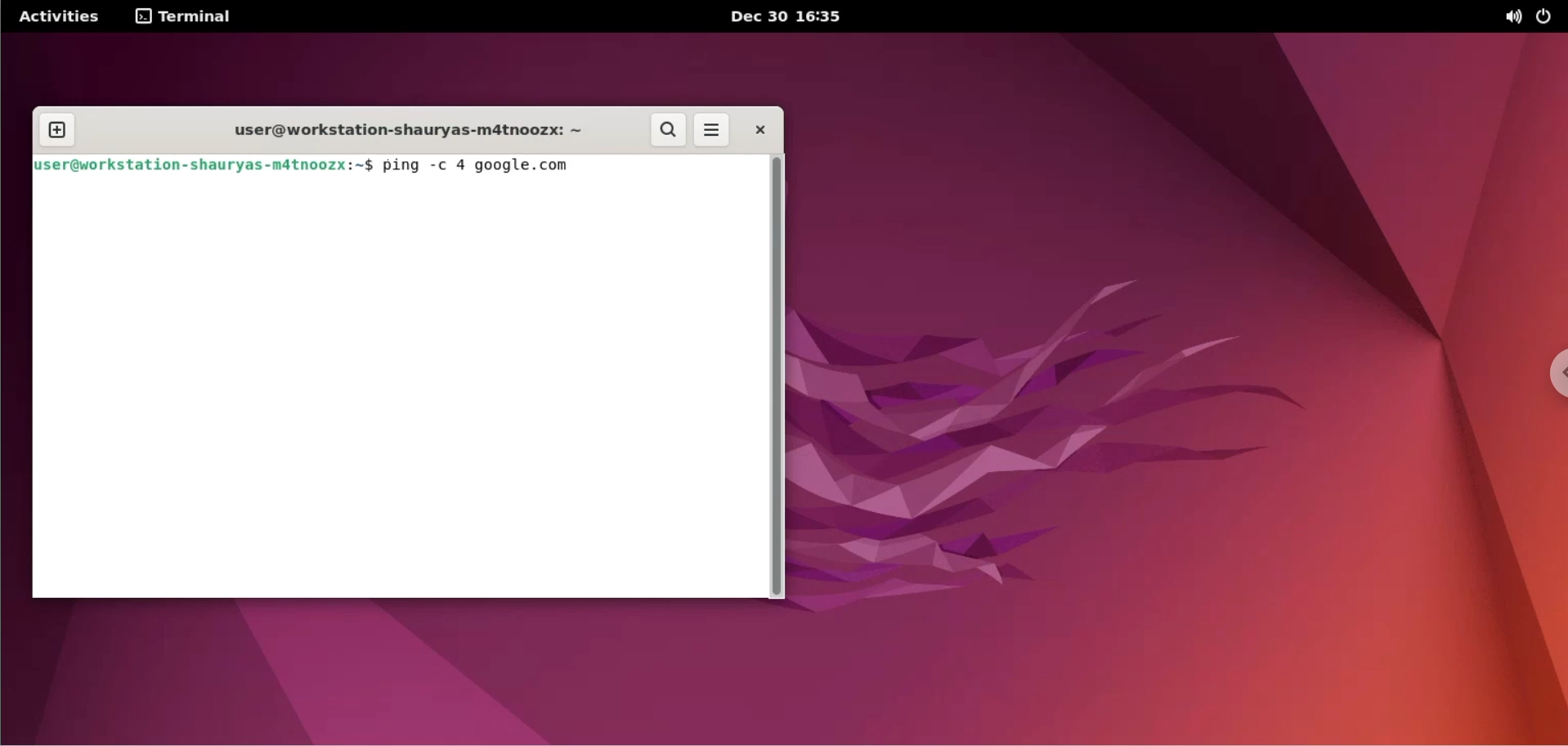 Image resolution: width=1568 pixels, height=746 pixels. What do you see at coordinates (398, 393) in the screenshot?
I see `command input box` at bounding box center [398, 393].